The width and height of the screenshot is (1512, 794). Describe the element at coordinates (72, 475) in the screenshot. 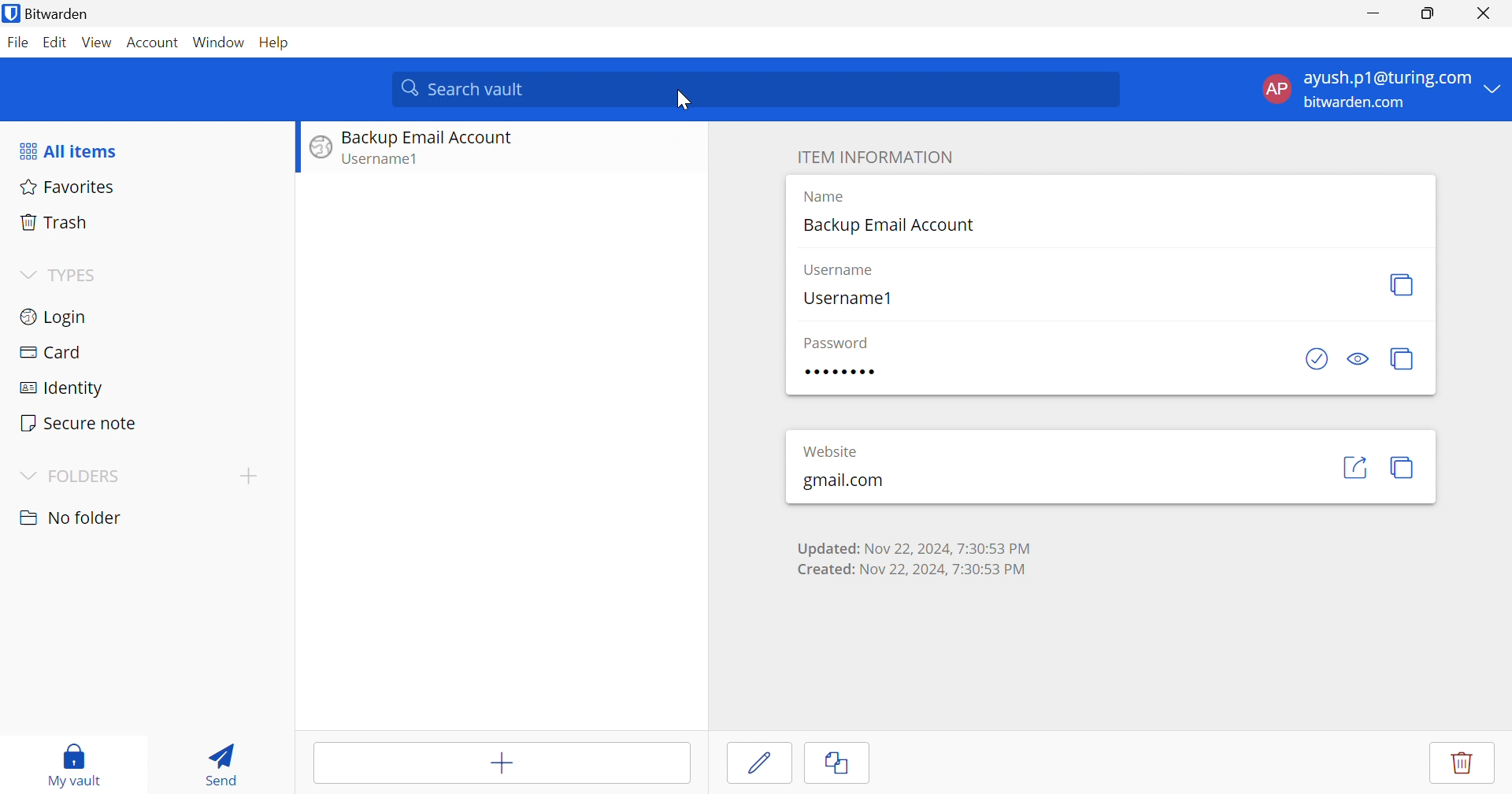

I see `FOLDERS` at that location.